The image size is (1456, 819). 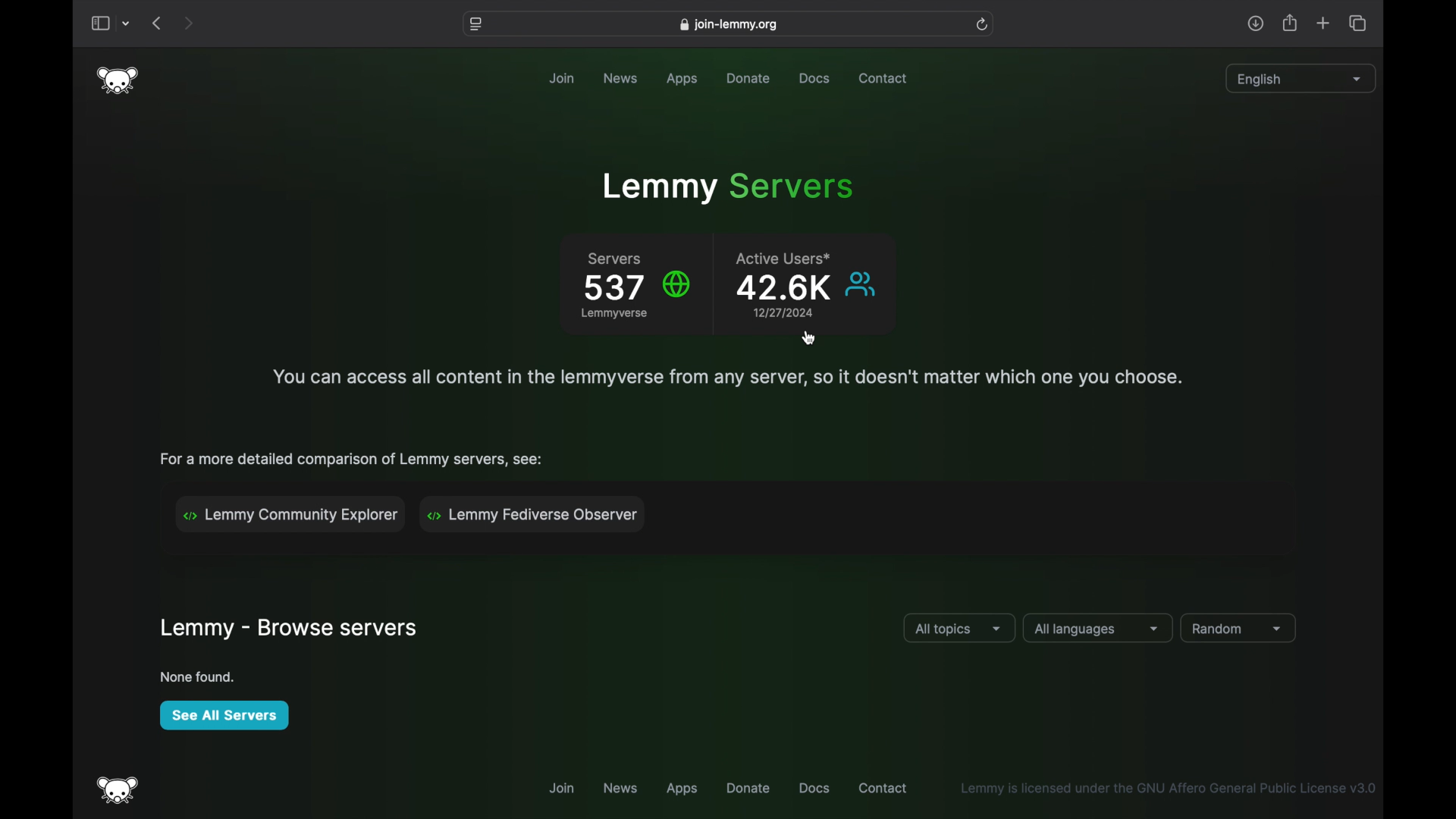 What do you see at coordinates (883, 79) in the screenshot?
I see `contact` at bounding box center [883, 79].